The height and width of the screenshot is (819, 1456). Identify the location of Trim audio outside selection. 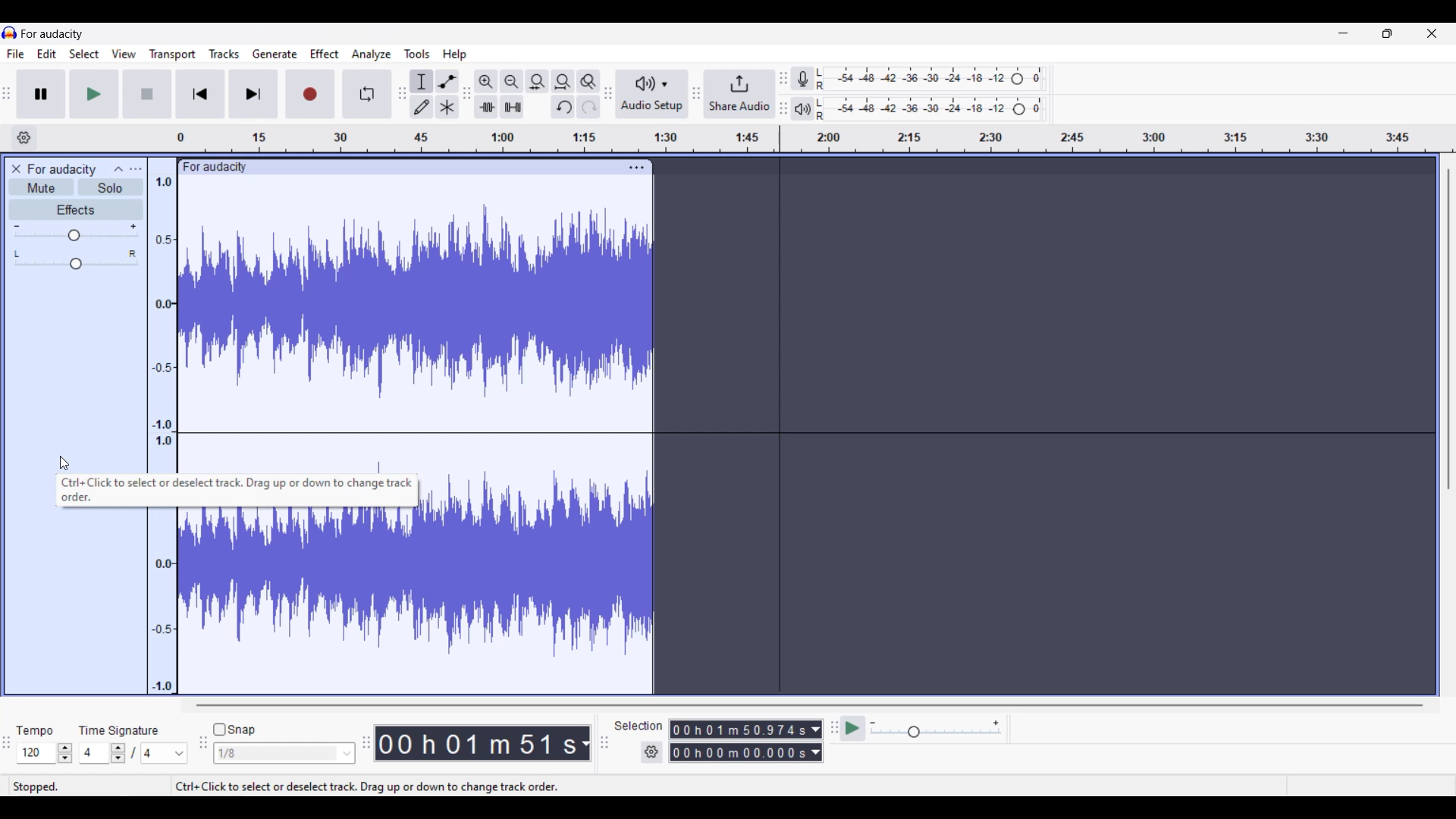
(485, 108).